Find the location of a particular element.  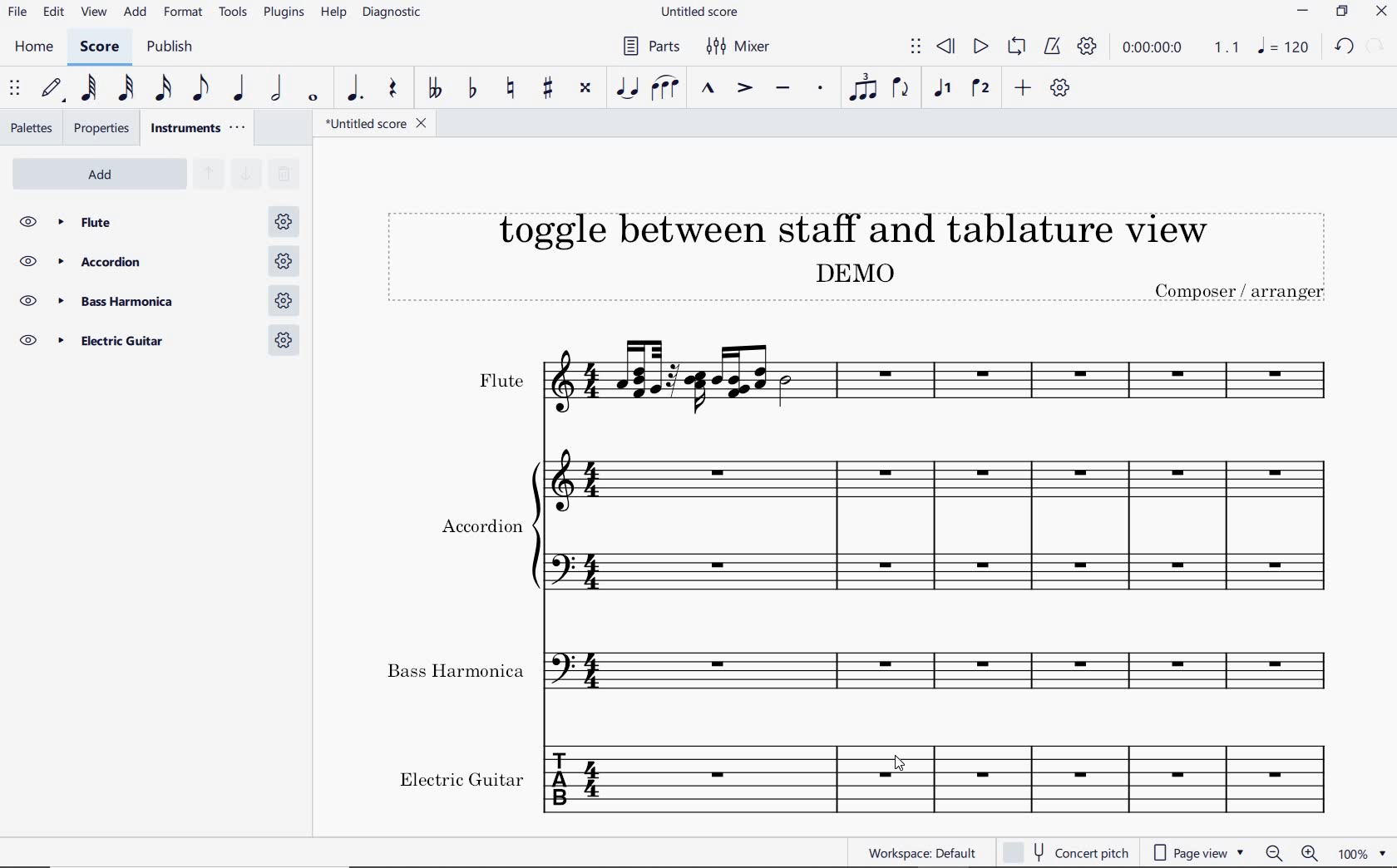

64th note is located at coordinates (87, 89).